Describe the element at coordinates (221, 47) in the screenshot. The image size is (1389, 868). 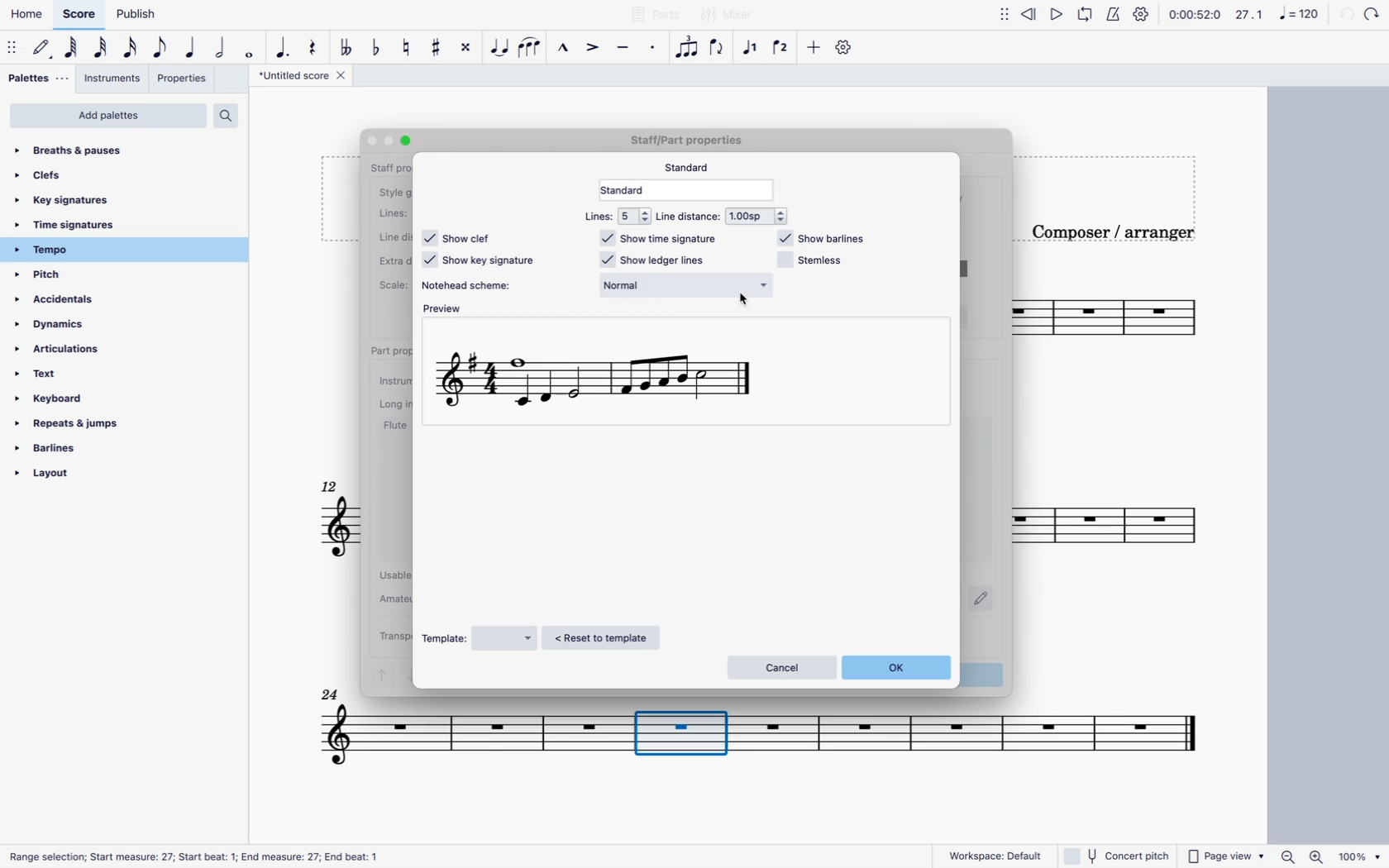
I see `double note` at that location.